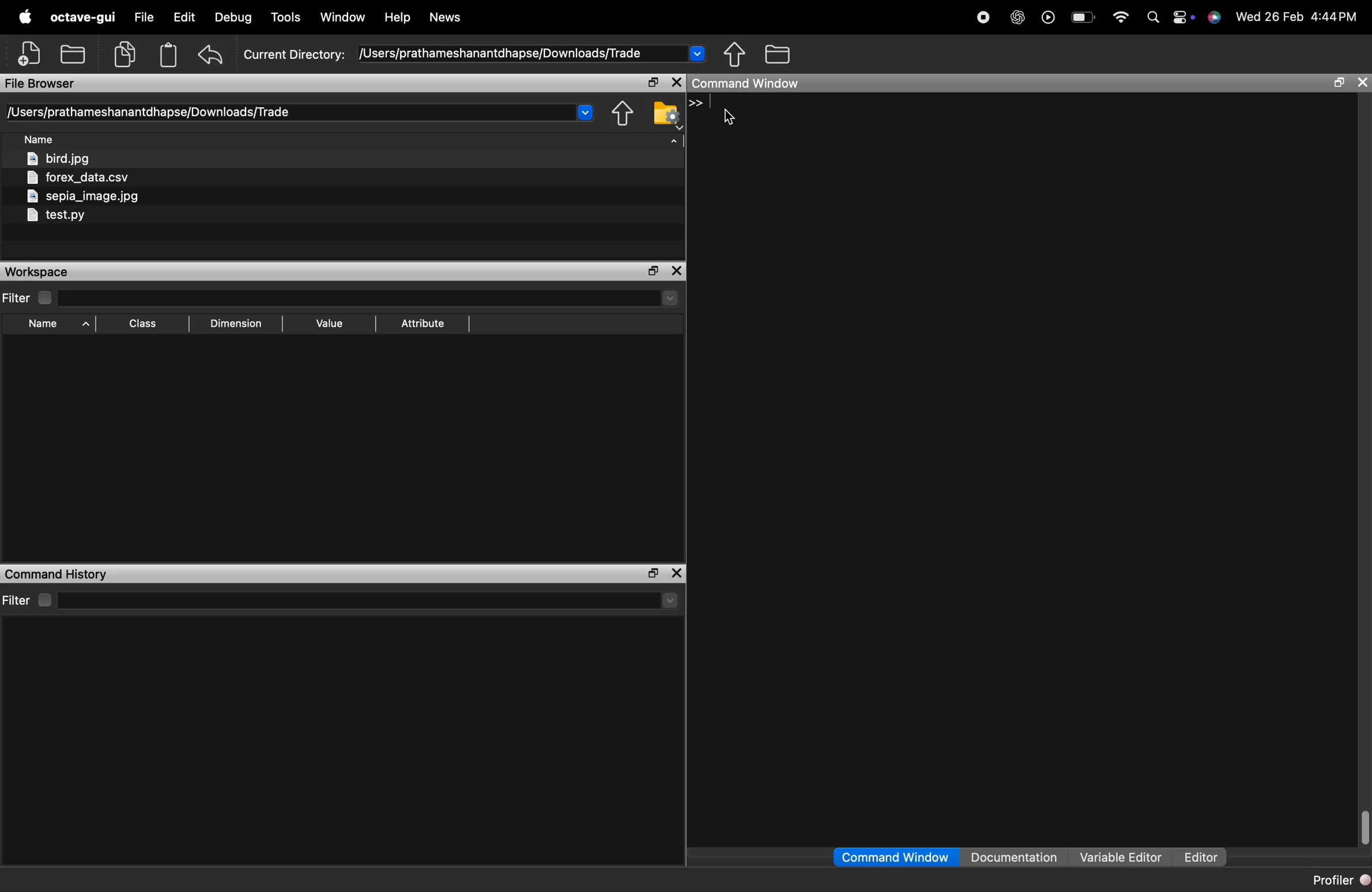 The height and width of the screenshot is (892, 1372). Describe the element at coordinates (424, 324) in the screenshot. I see `Attribute` at that location.